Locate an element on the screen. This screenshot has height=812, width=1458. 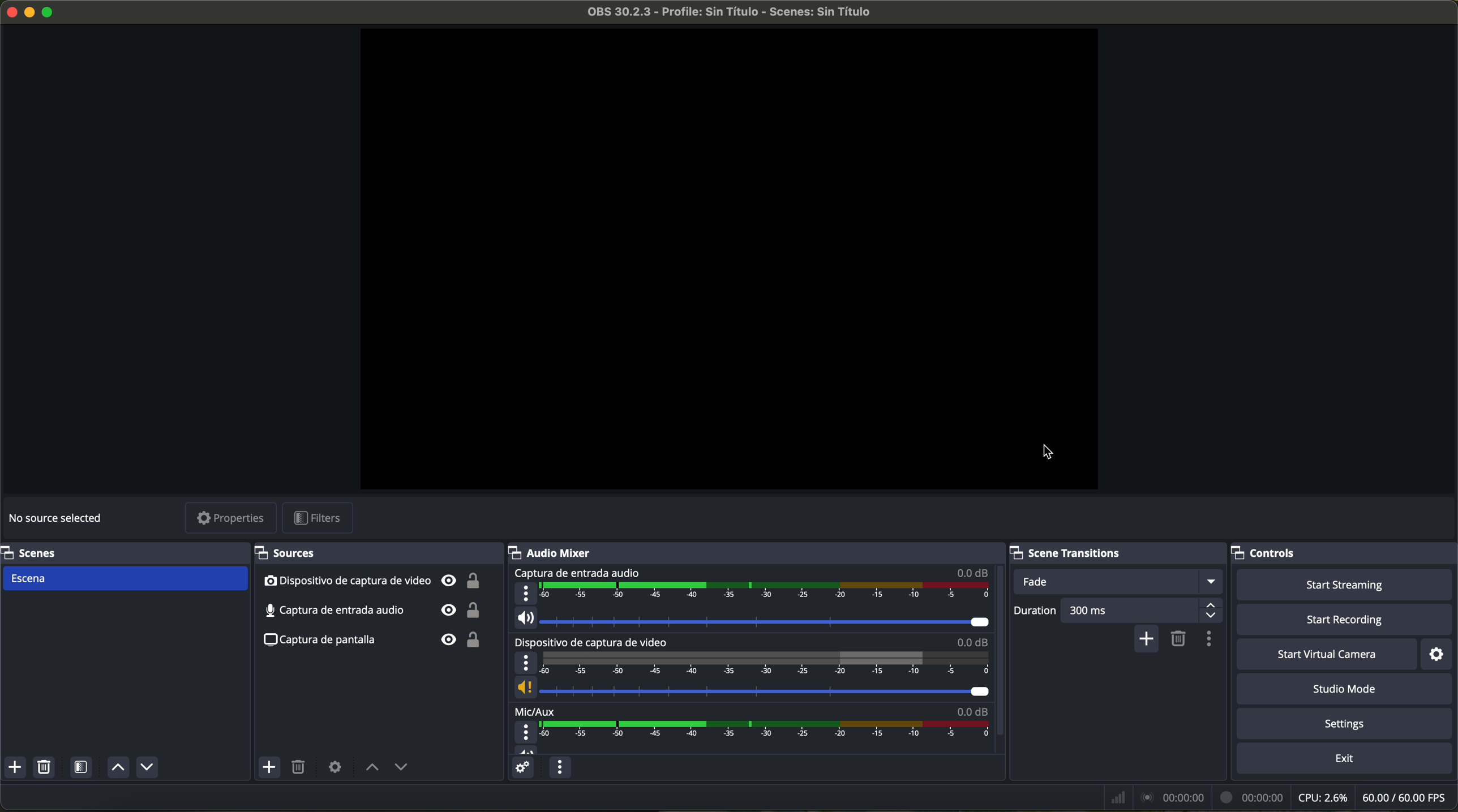
settings is located at coordinates (1347, 725).